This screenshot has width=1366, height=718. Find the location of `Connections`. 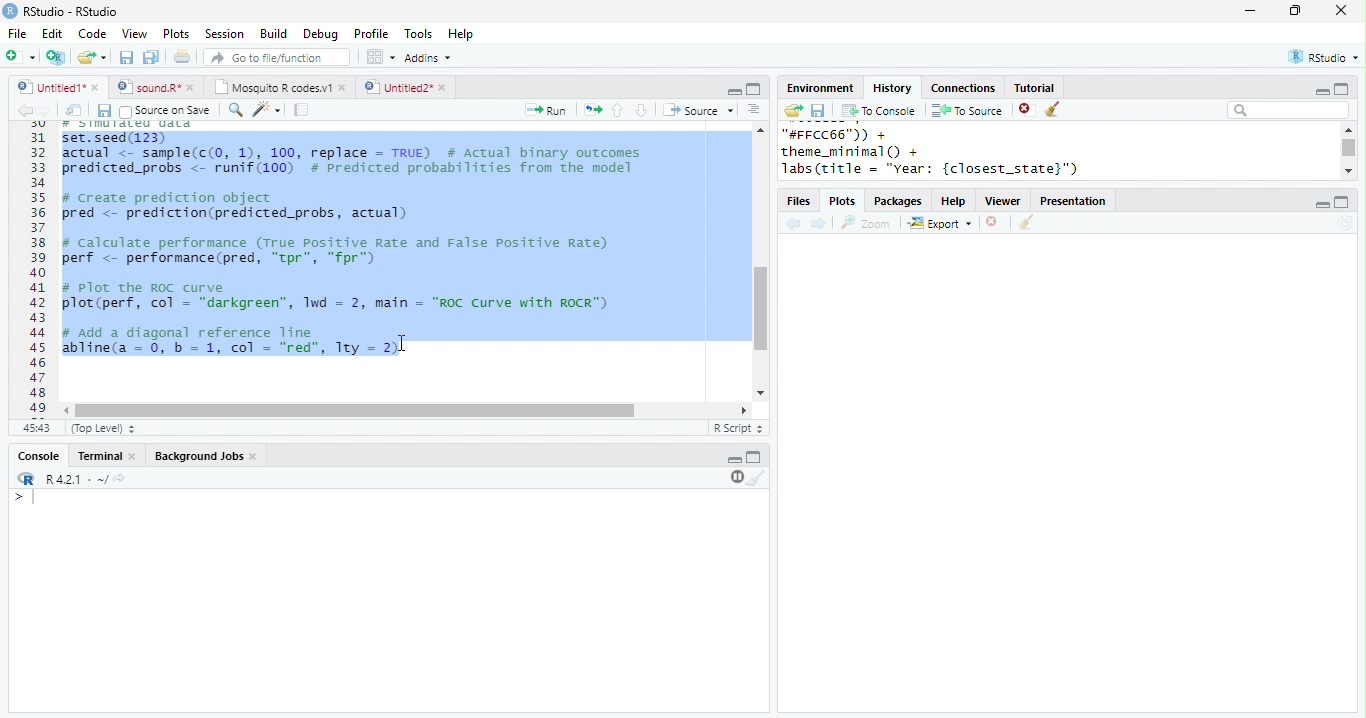

Connections is located at coordinates (962, 88).